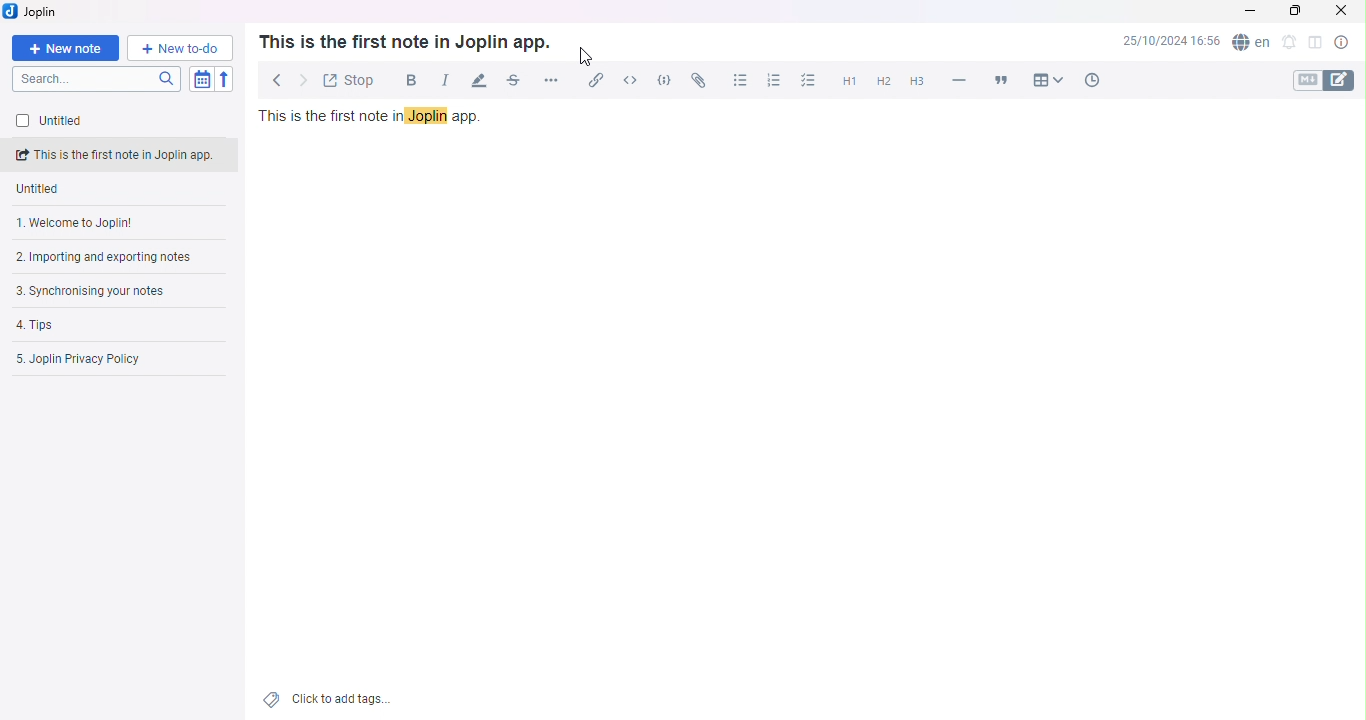  What do you see at coordinates (1088, 79) in the screenshot?
I see `Insert time` at bounding box center [1088, 79].